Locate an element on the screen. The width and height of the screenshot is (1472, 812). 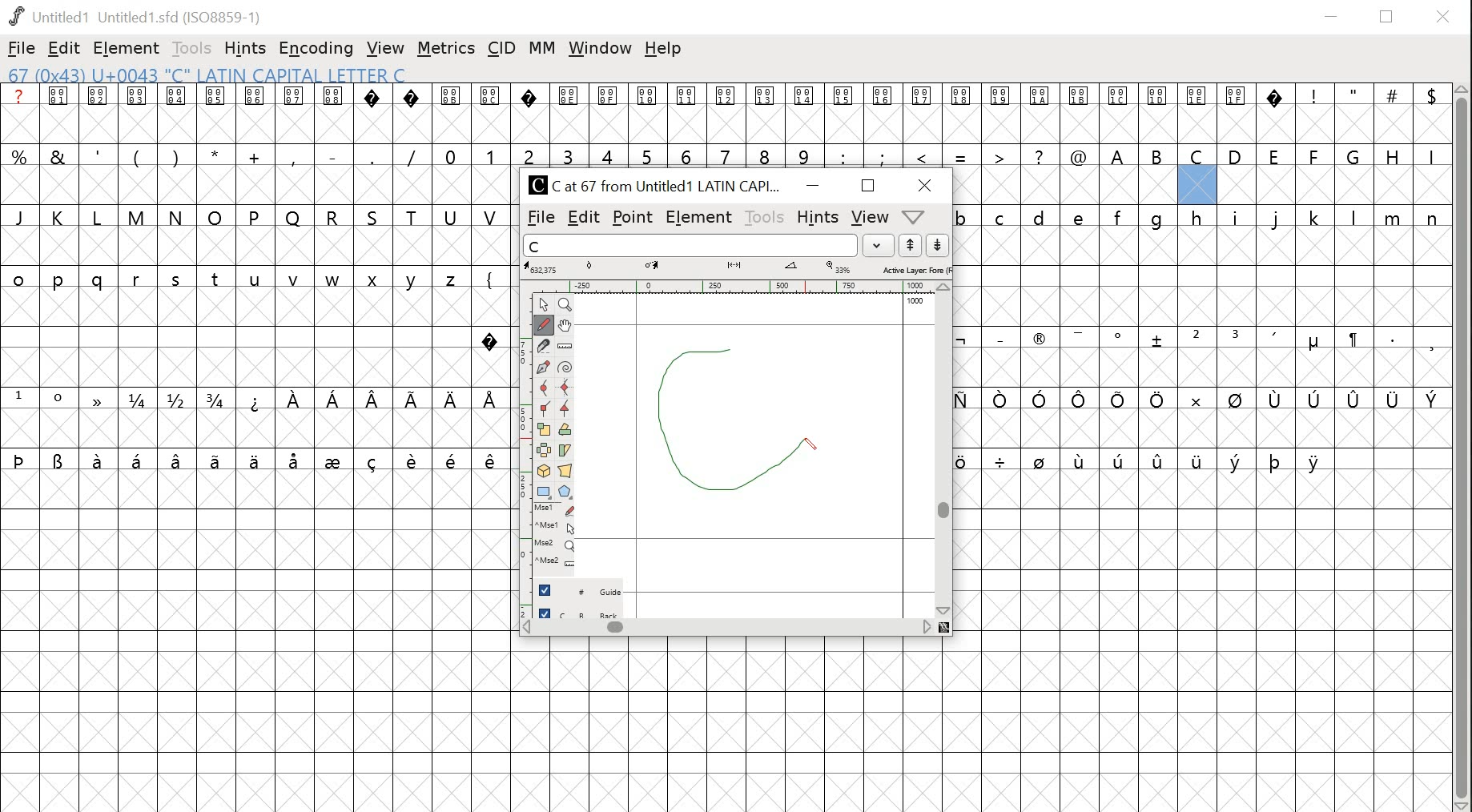
rectangle/ellipse is located at coordinates (546, 492).